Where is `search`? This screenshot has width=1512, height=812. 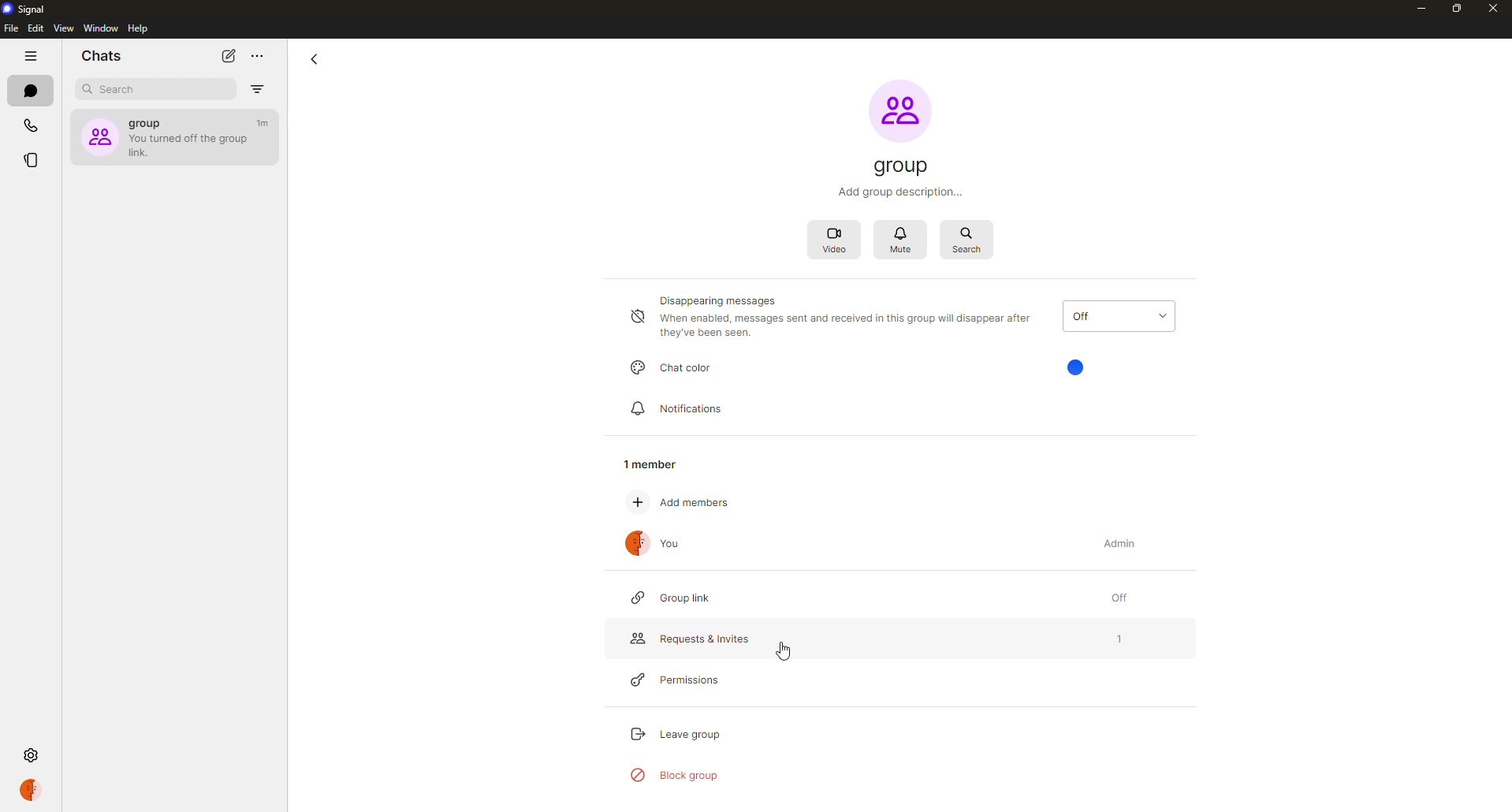
search is located at coordinates (121, 89).